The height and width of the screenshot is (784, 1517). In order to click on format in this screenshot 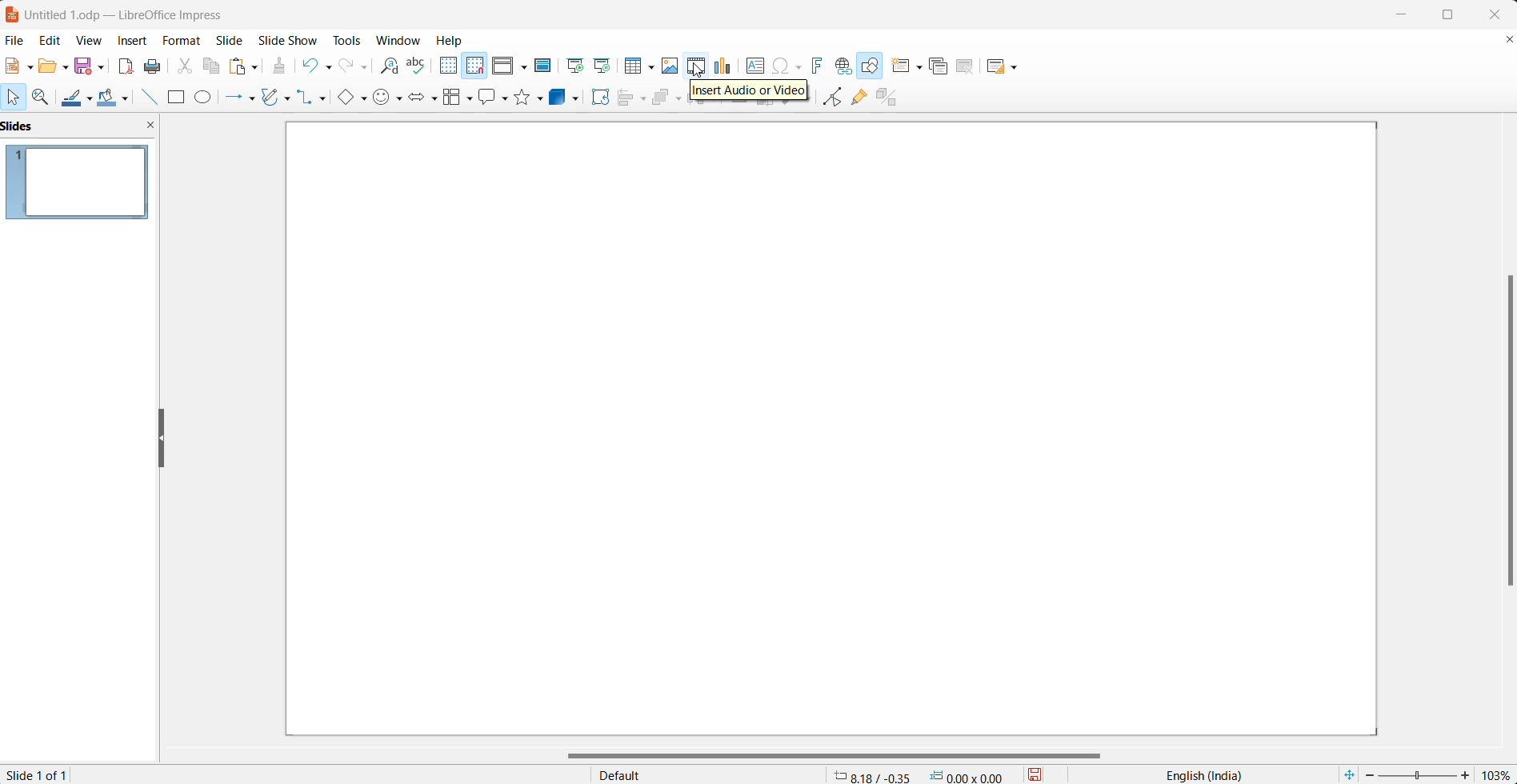, I will do `click(183, 41)`.